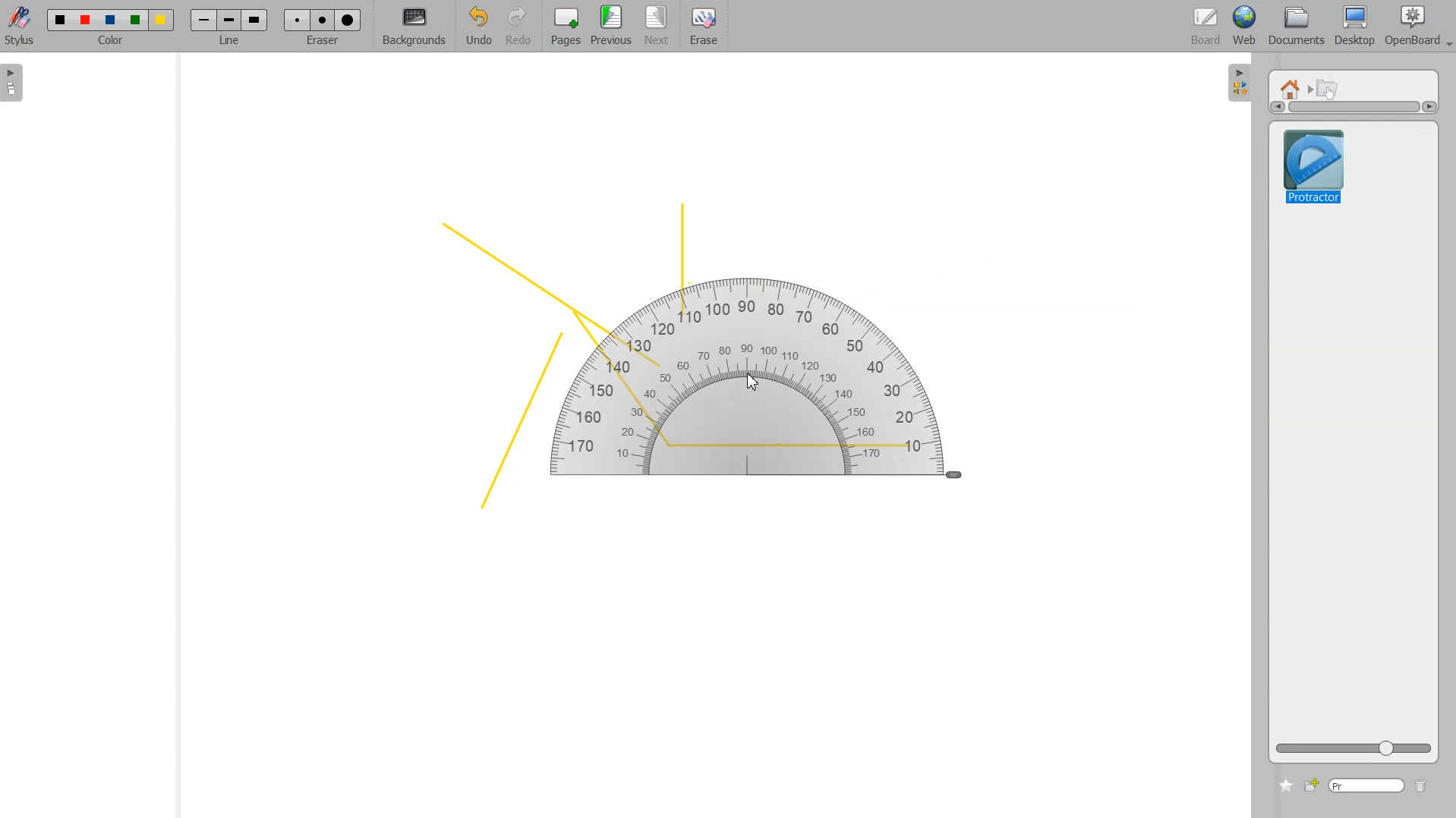 The width and height of the screenshot is (1456, 818). I want to click on Erase, so click(322, 20).